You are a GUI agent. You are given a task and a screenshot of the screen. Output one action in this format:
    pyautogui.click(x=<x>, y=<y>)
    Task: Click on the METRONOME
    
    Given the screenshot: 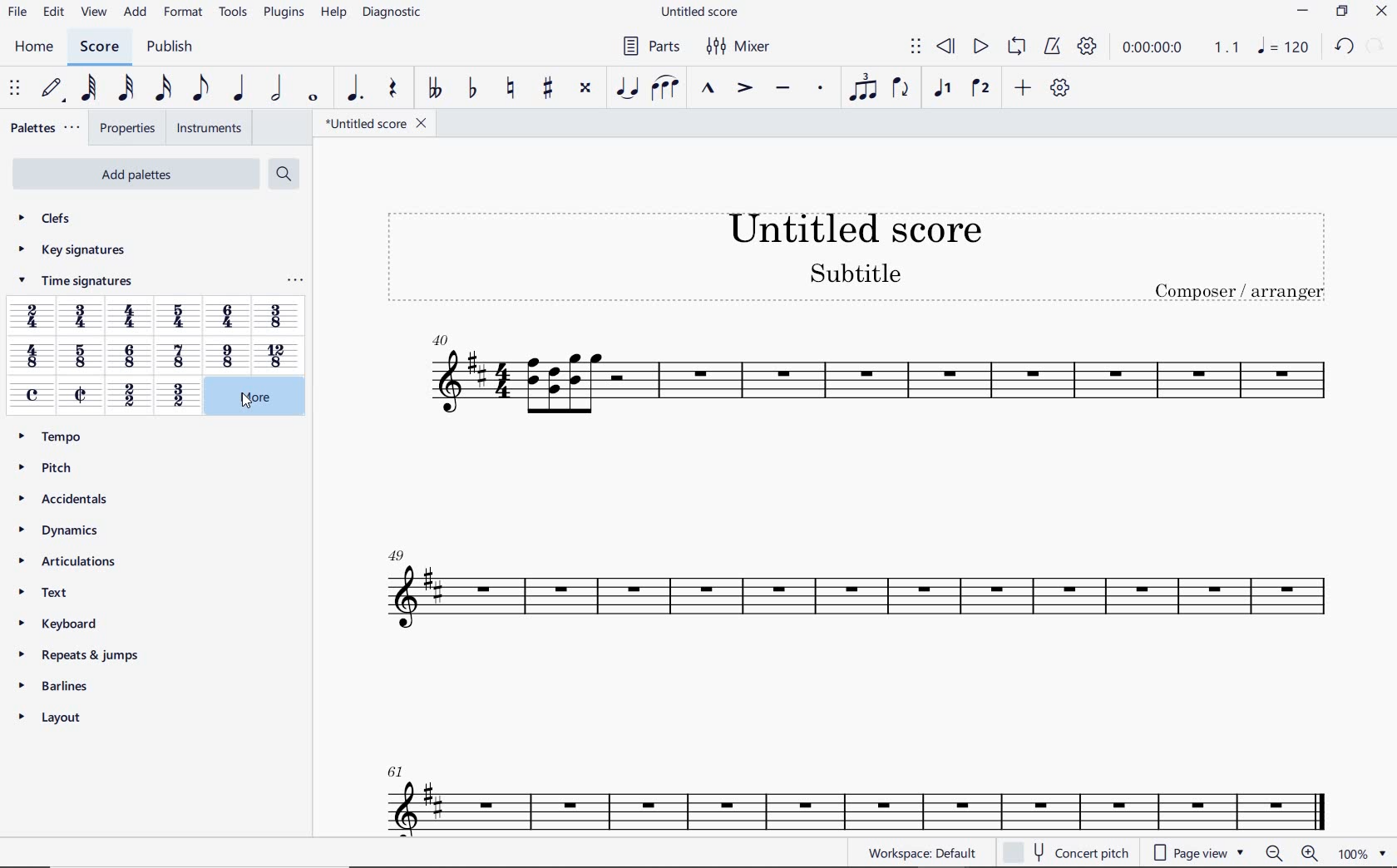 What is the action you would take?
    pyautogui.click(x=1052, y=47)
    